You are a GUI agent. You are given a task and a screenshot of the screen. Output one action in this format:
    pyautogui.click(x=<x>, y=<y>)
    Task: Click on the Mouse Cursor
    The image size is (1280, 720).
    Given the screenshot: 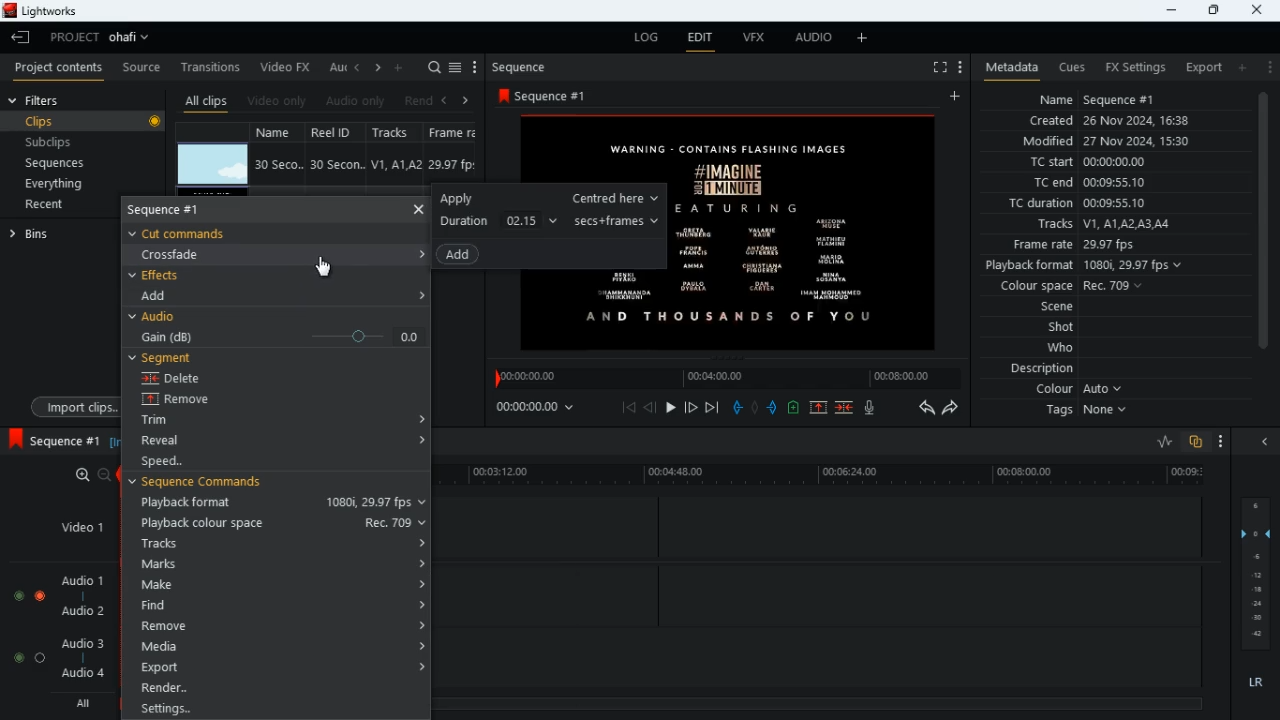 What is the action you would take?
    pyautogui.click(x=319, y=265)
    